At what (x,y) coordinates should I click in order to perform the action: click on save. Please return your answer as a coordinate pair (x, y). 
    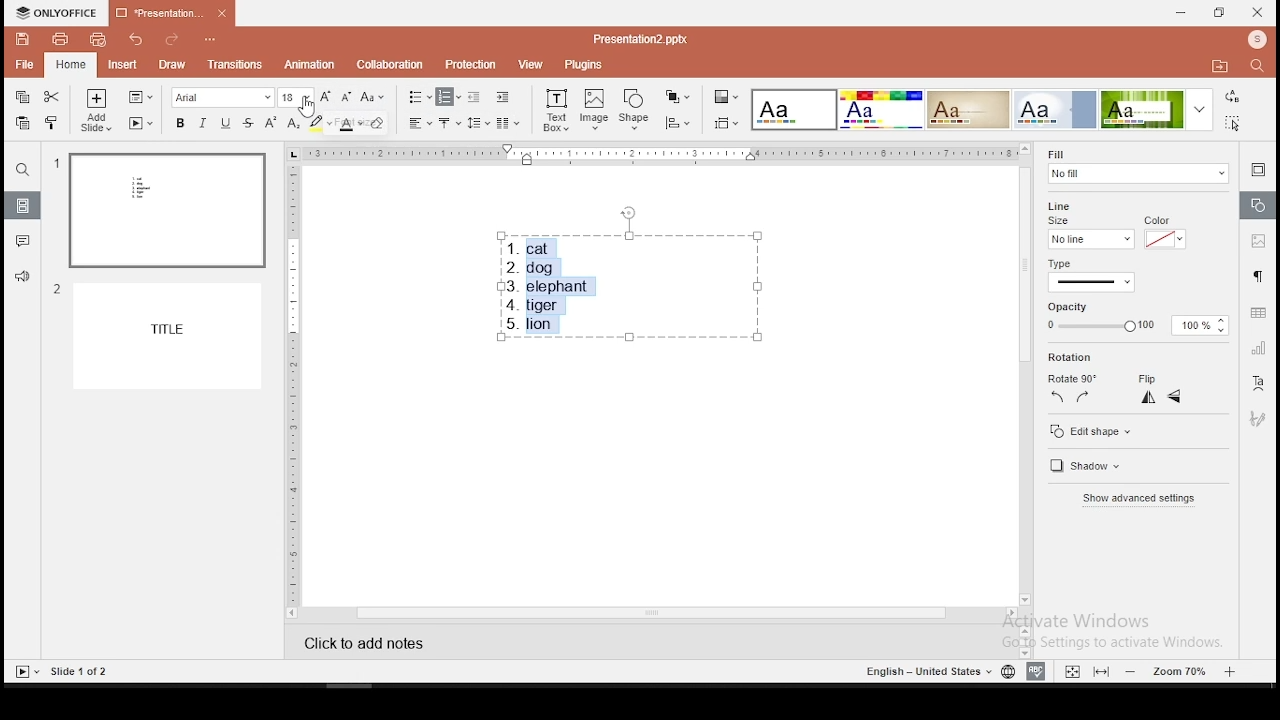
    Looking at the image, I should click on (23, 40).